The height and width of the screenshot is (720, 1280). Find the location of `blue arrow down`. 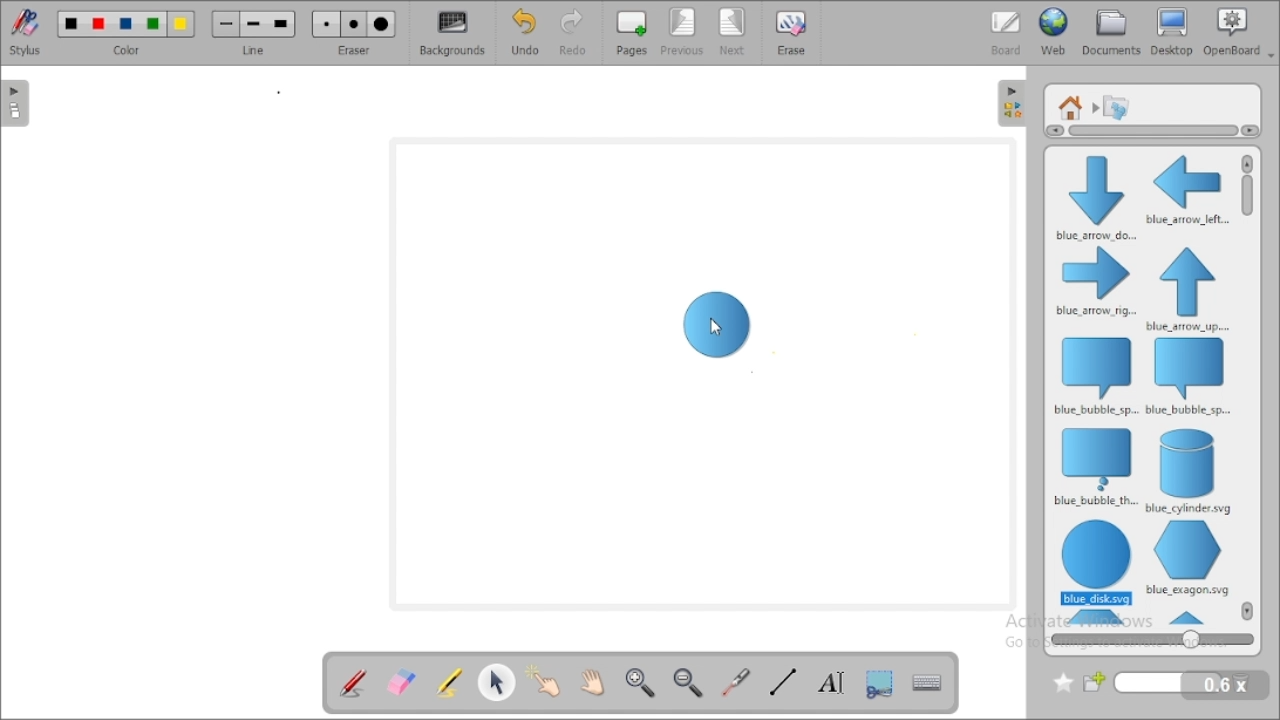

blue arrow down is located at coordinates (1093, 196).